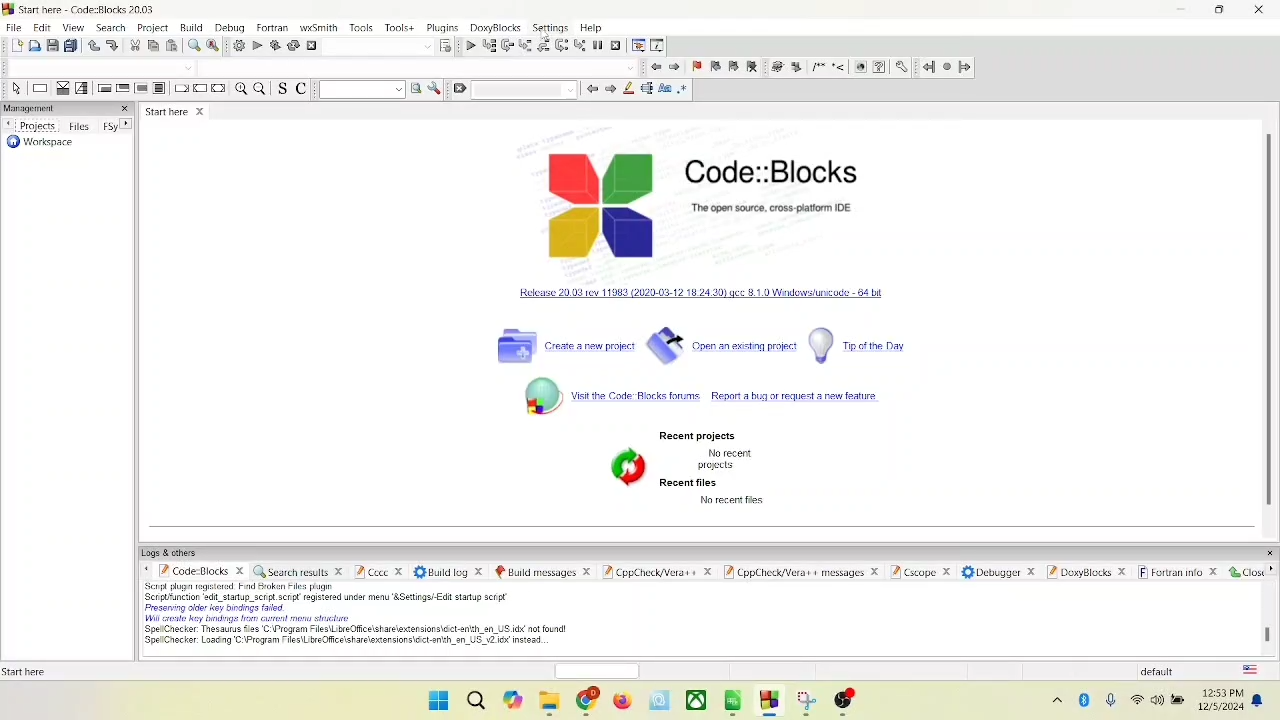  I want to click on copilot, so click(514, 702).